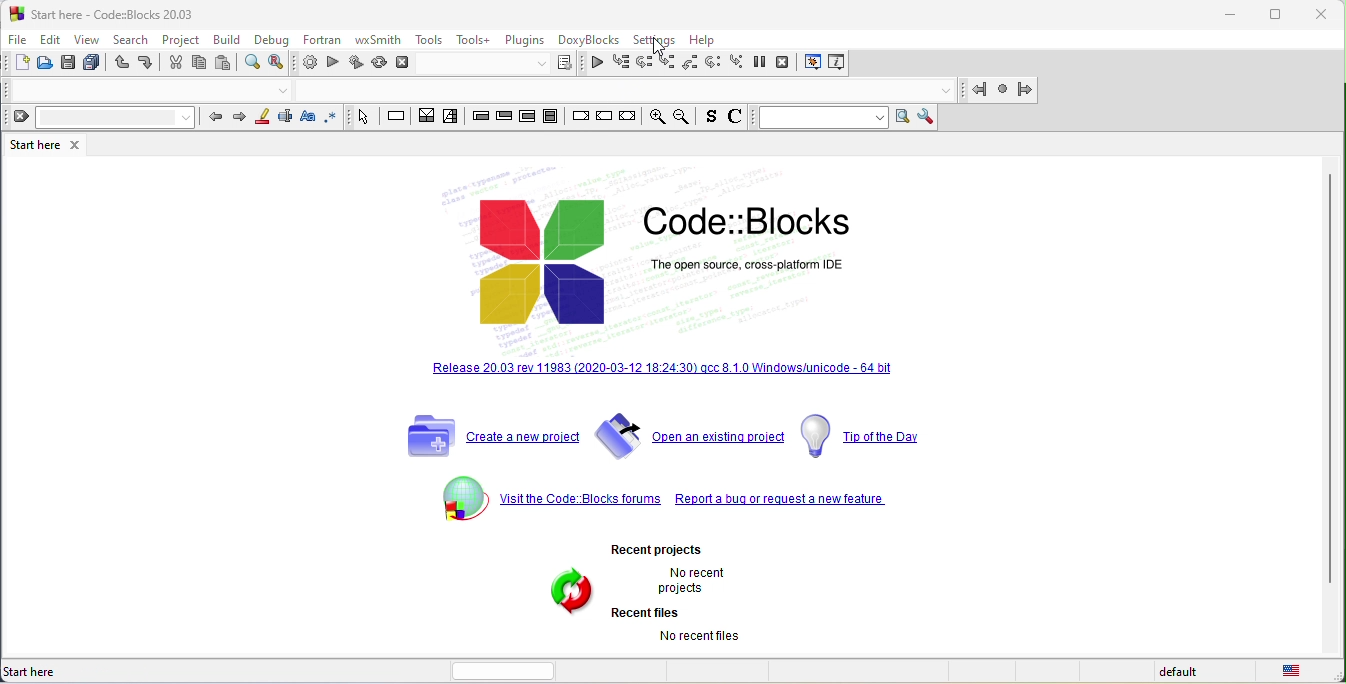  I want to click on next instruction, so click(712, 65).